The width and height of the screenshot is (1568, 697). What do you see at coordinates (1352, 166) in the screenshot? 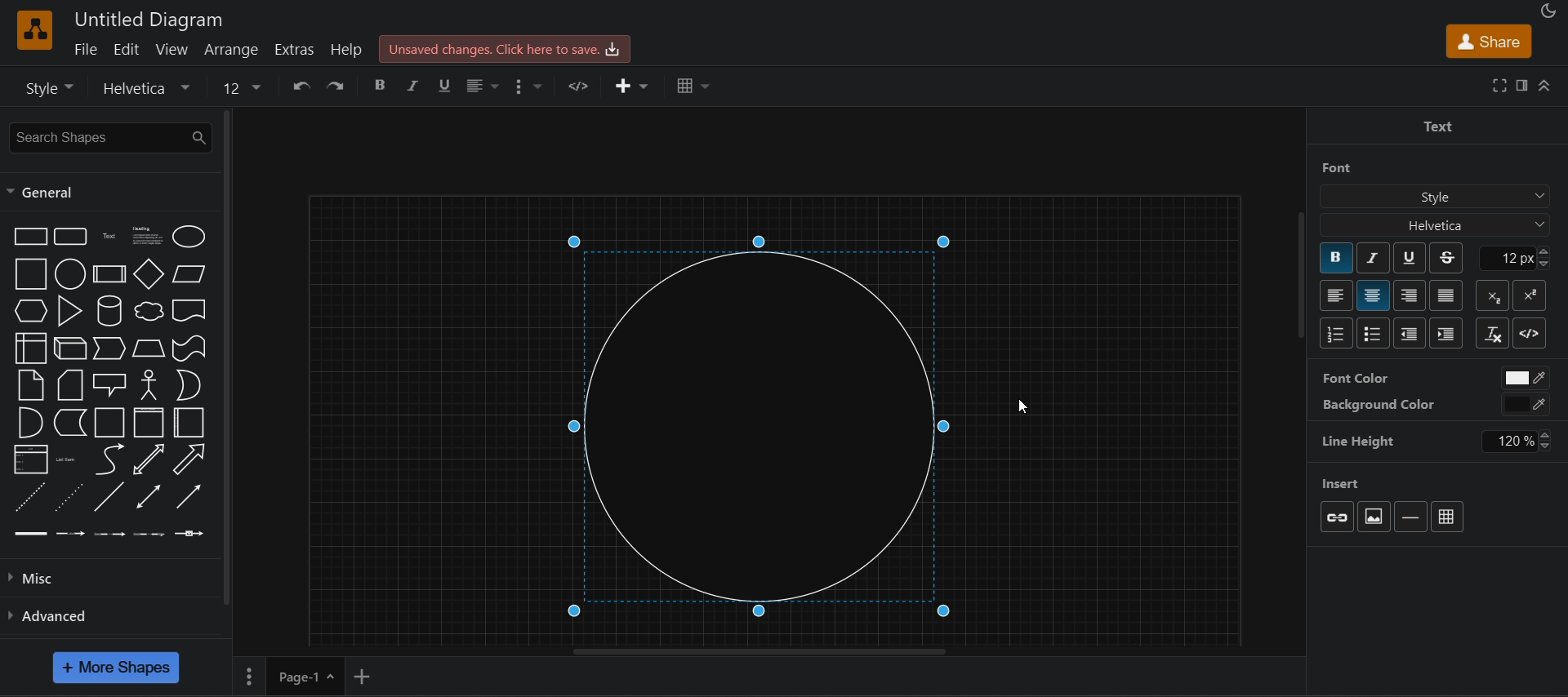
I see `font` at bounding box center [1352, 166].